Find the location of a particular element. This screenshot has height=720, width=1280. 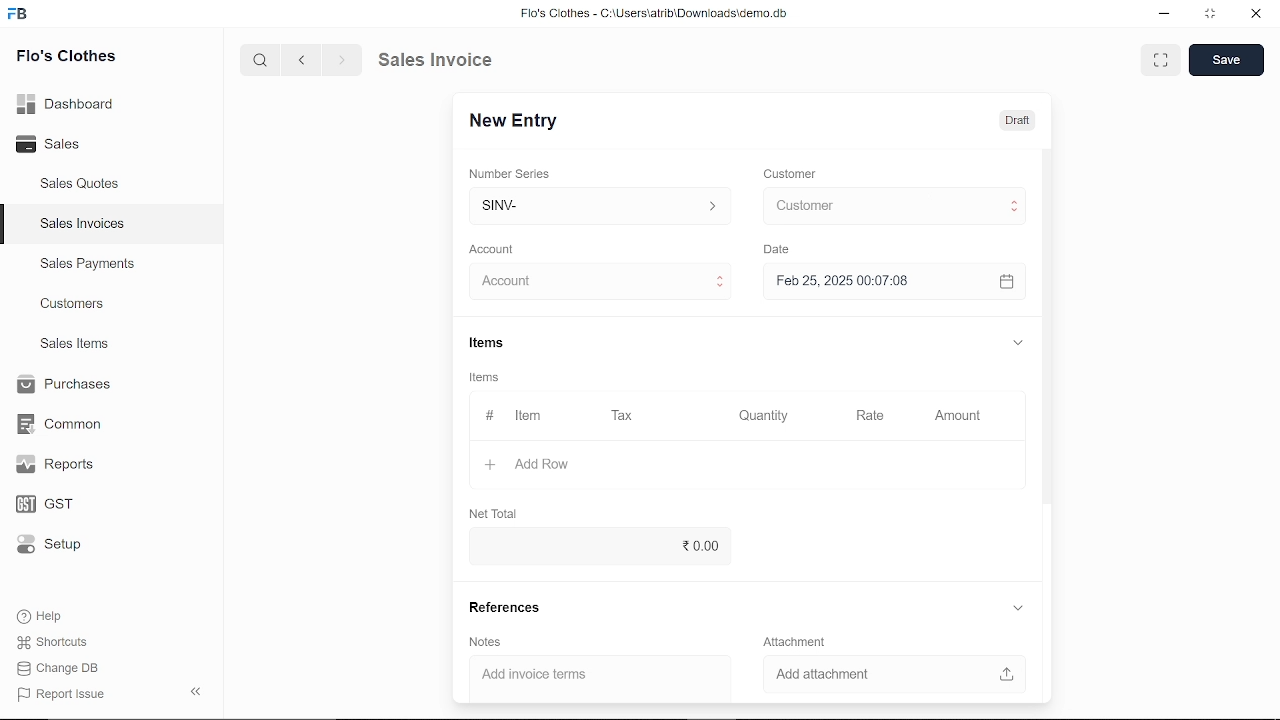

H Feb 25, 2025 00:07:08  is located at coordinates (876, 282).